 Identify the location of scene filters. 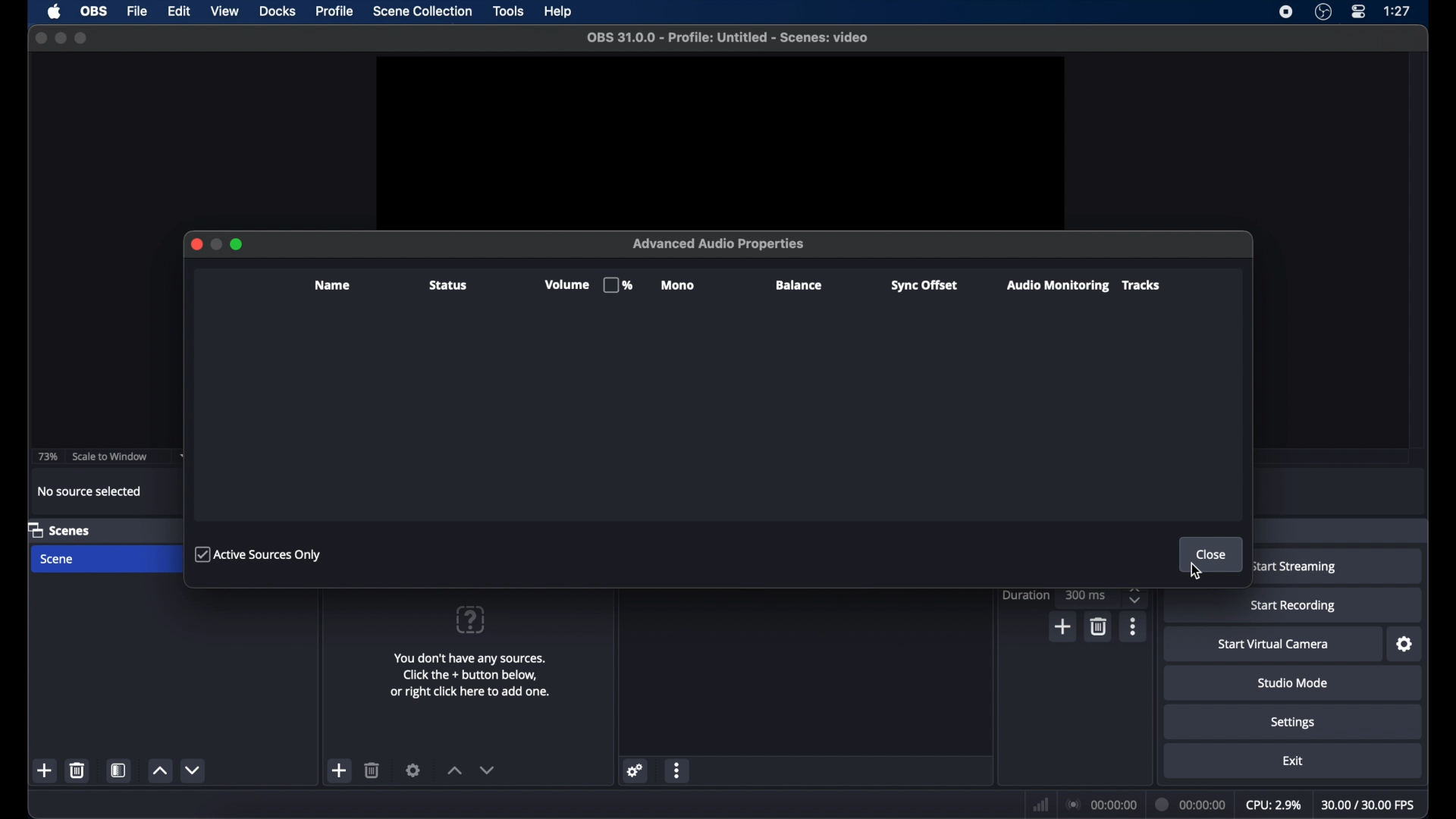
(120, 770).